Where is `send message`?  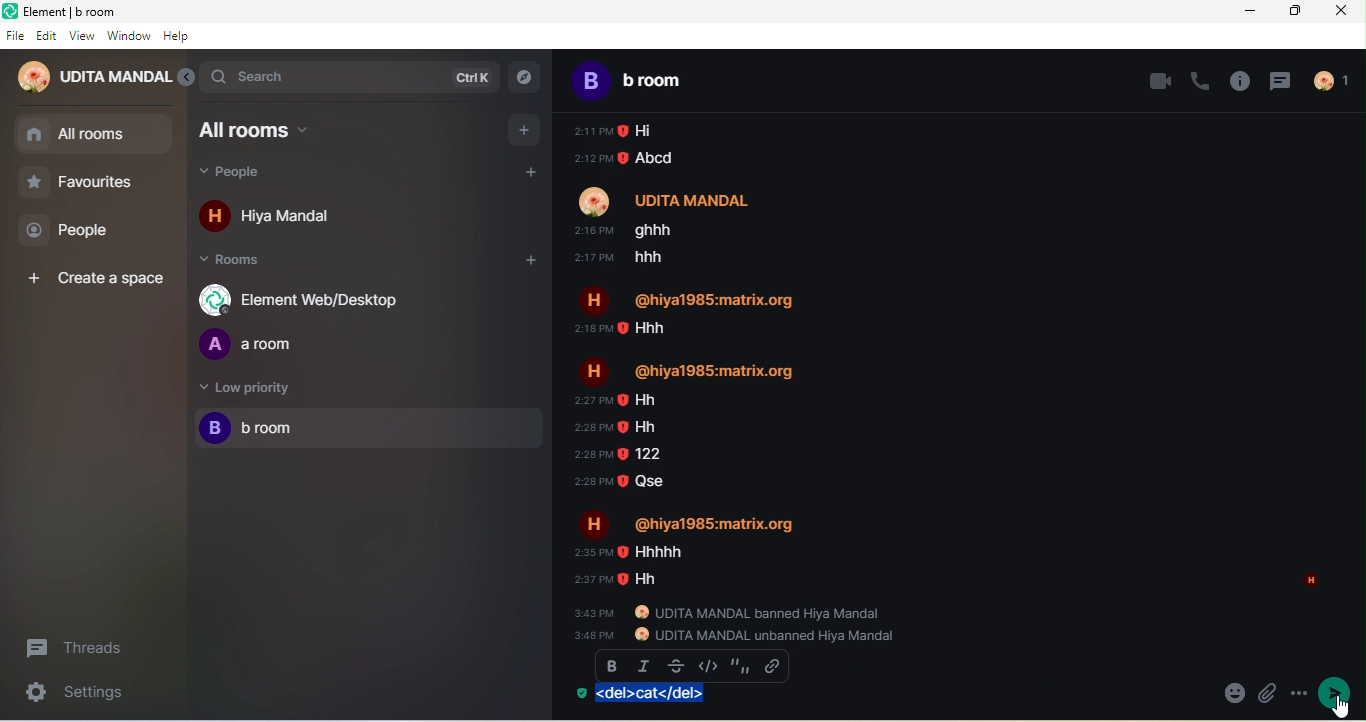
send message is located at coordinates (1337, 694).